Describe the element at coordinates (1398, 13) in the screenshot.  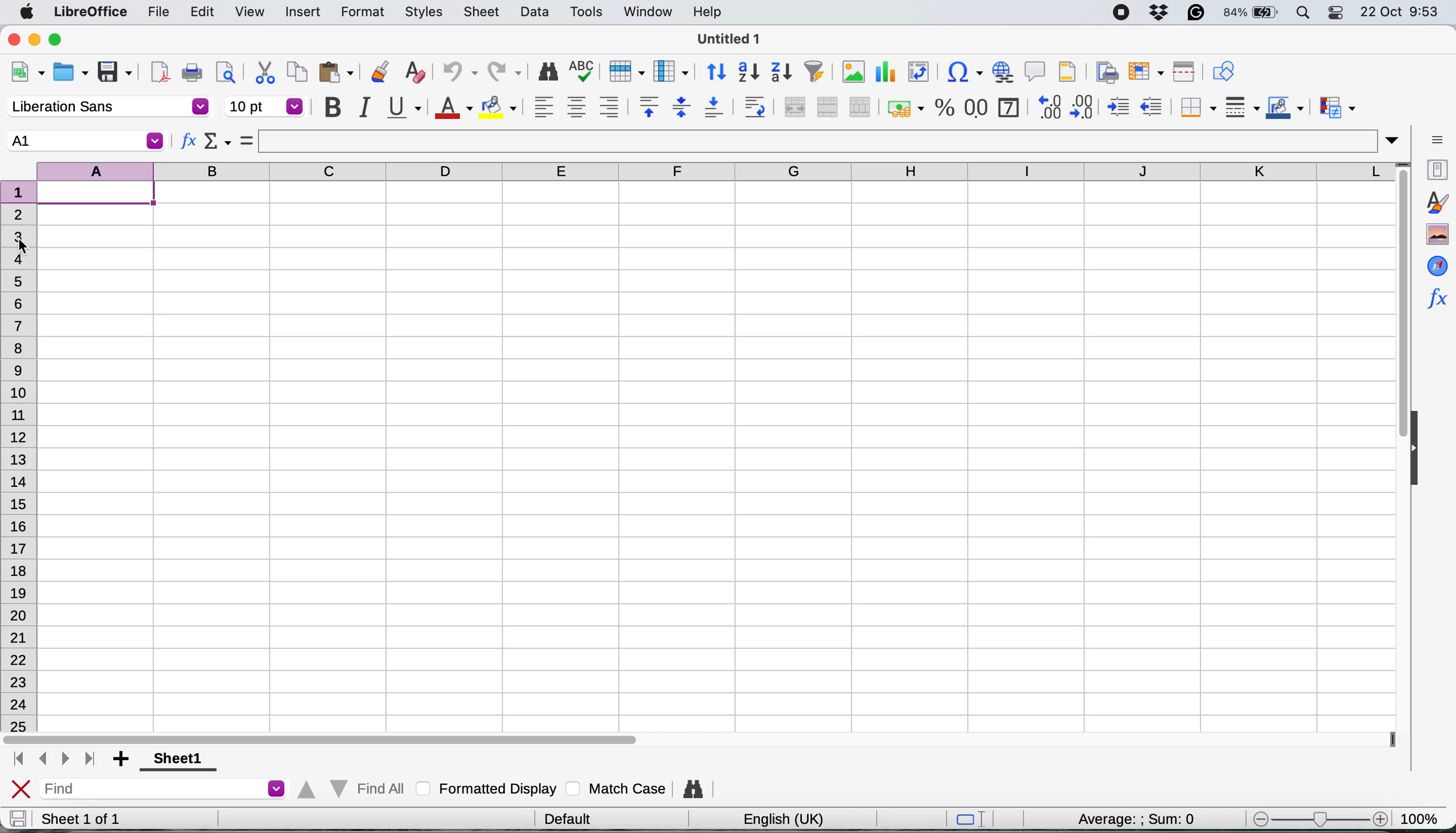
I see `22 oct 9:53` at that location.